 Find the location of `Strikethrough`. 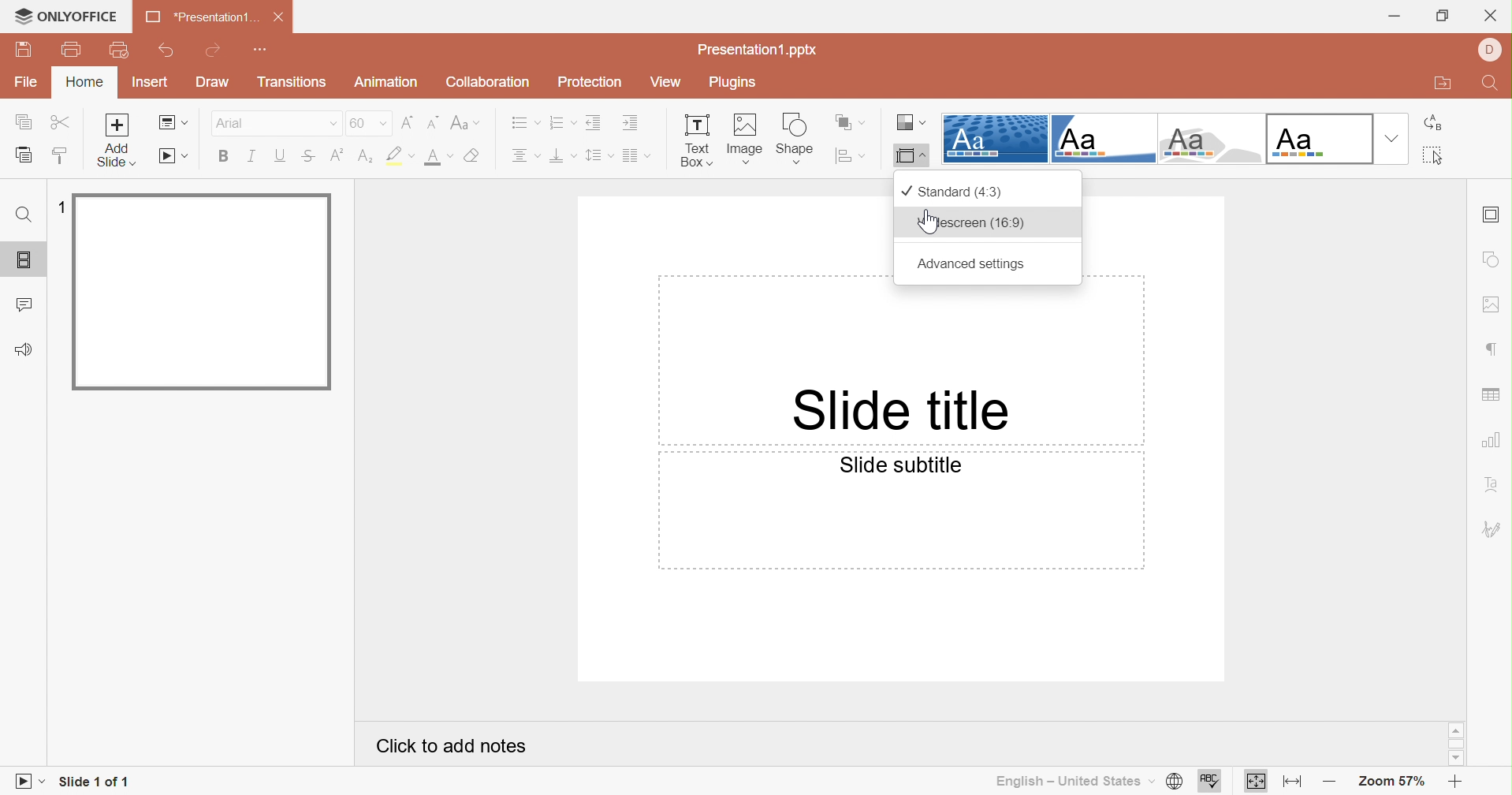

Strikethrough is located at coordinates (305, 155).